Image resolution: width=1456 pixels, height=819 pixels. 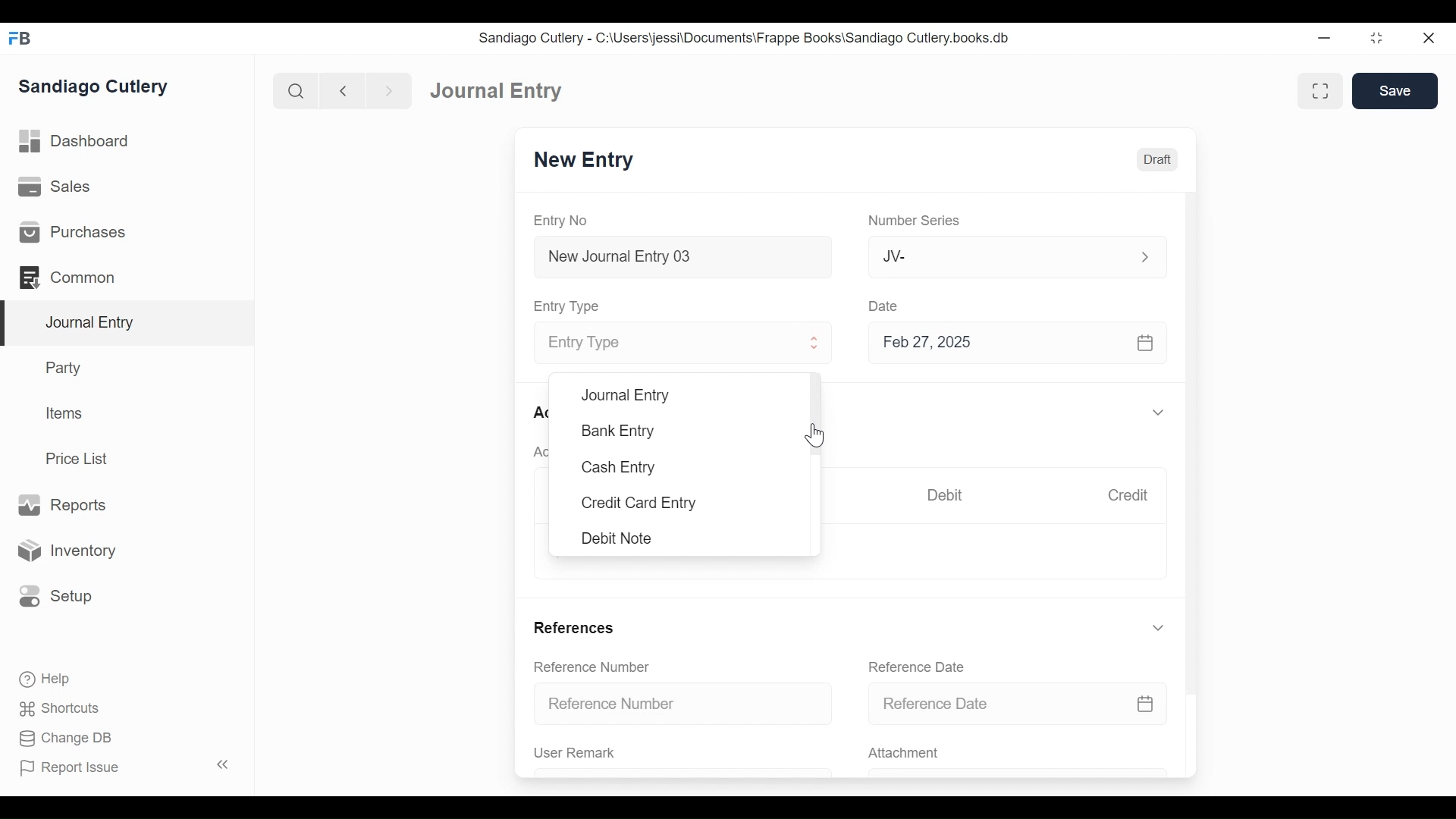 What do you see at coordinates (817, 412) in the screenshot?
I see `Vertical Scroll bar` at bounding box center [817, 412].